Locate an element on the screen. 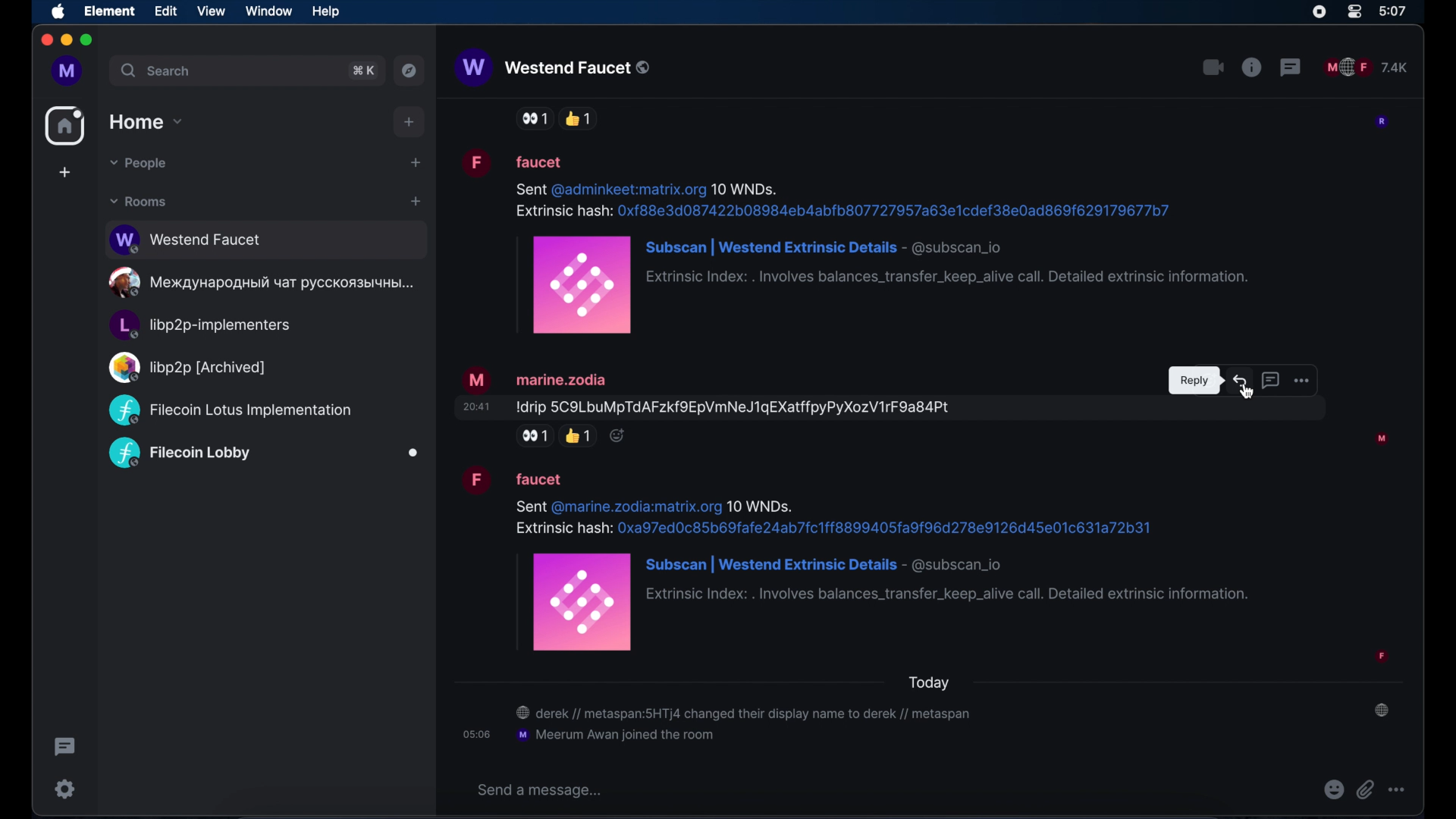 This screenshot has height=819, width=1456. profile is located at coordinates (66, 71).